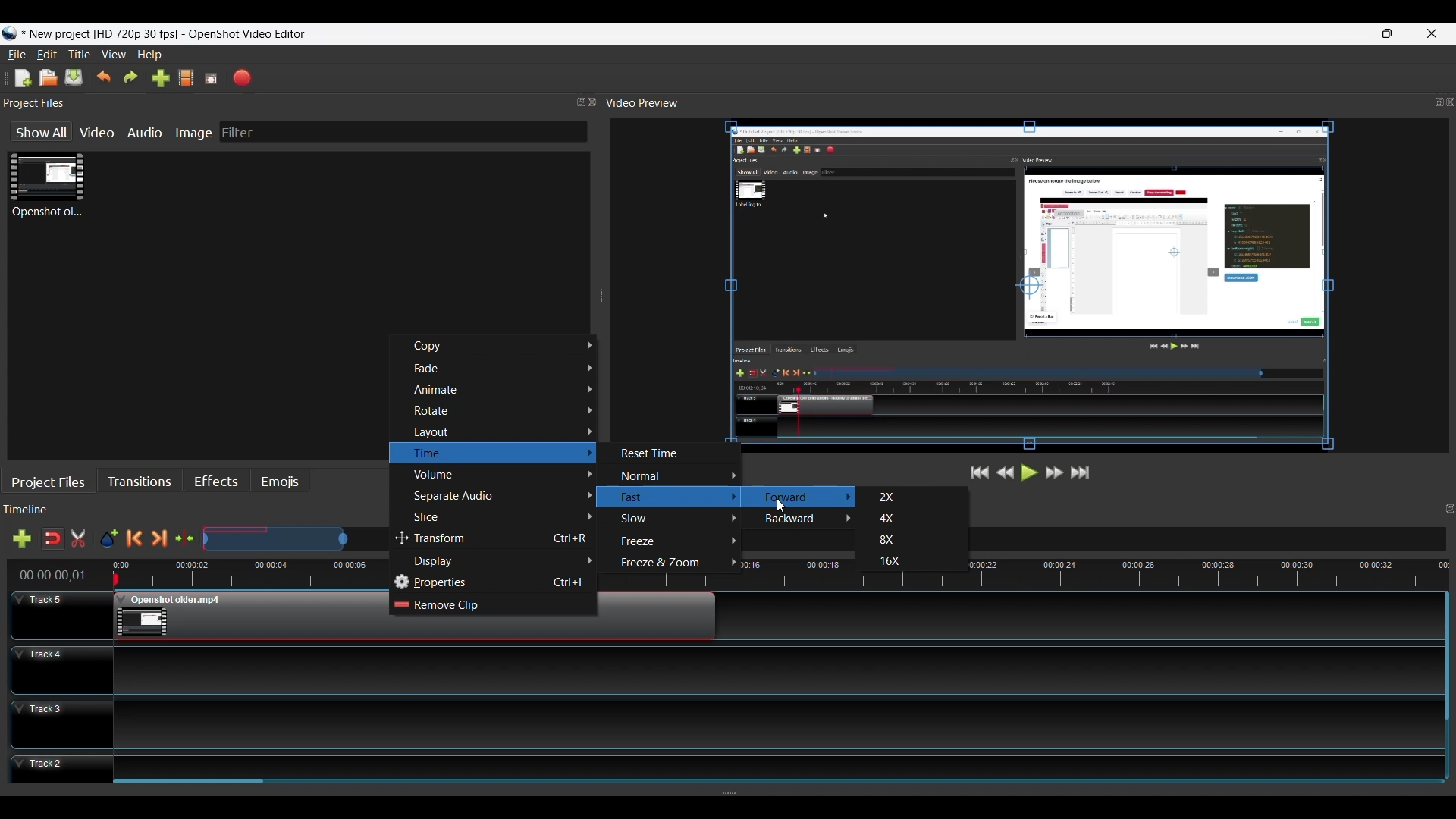 The image size is (1456, 819). What do you see at coordinates (138, 482) in the screenshot?
I see `Transitions` at bounding box center [138, 482].